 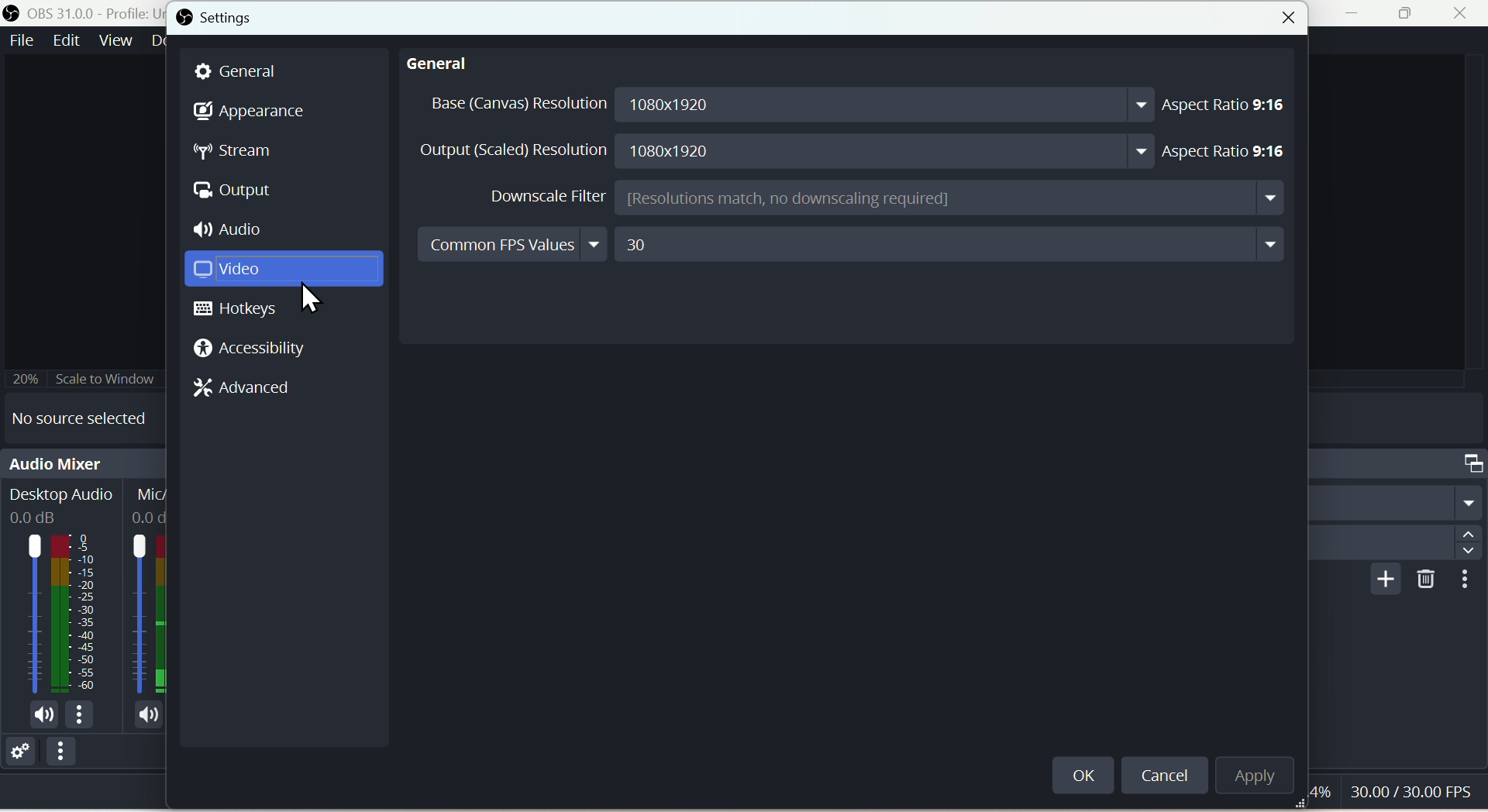 What do you see at coordinates (1397, 502) in the screenshot?
I see `fade` at bounding box center [1397, 502].